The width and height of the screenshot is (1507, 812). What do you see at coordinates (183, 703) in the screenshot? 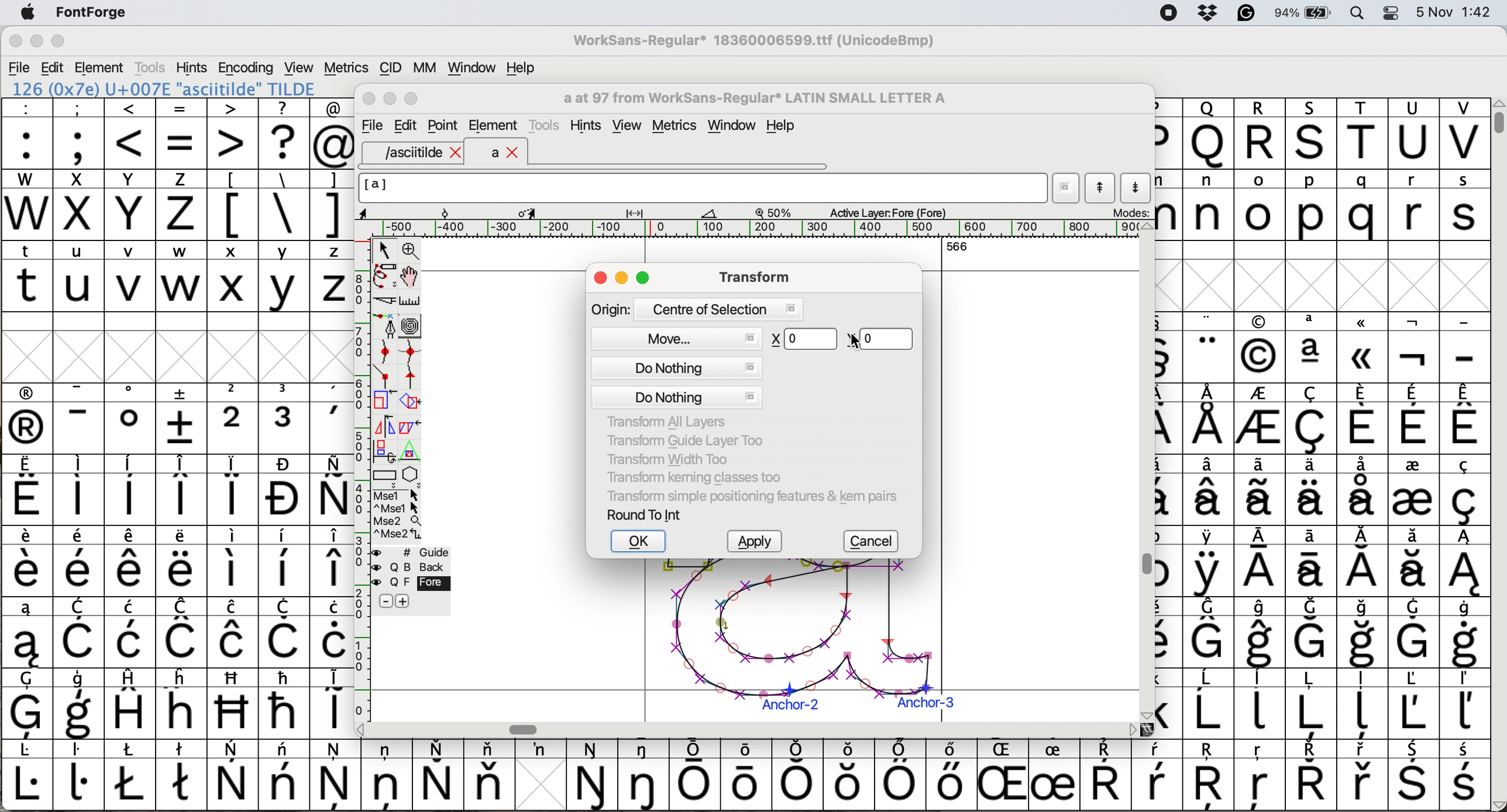
I see `` at bounding box center [183, 703].